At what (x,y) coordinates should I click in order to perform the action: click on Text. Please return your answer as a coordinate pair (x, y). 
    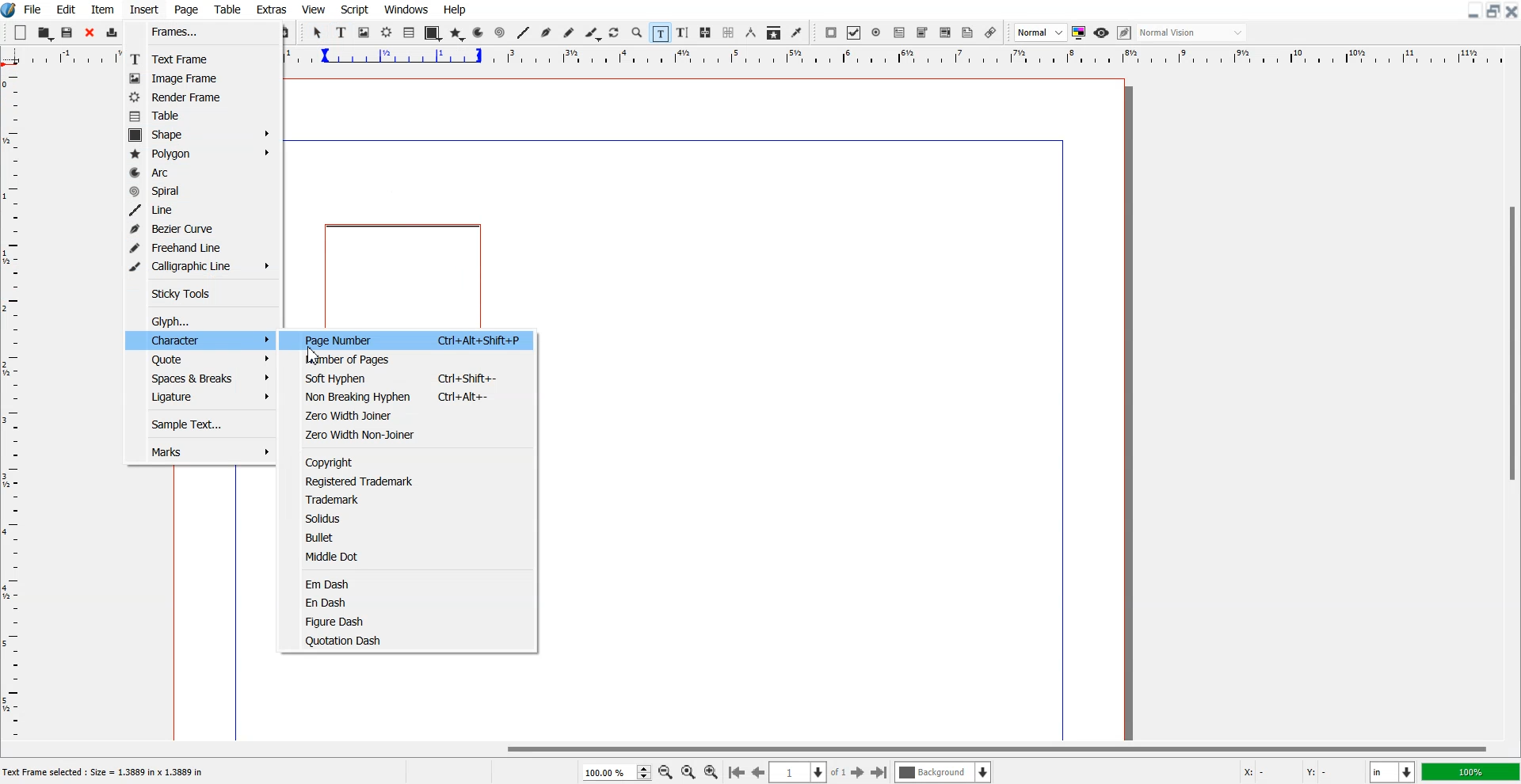
    Looking at the image, I should click on (109, 773).